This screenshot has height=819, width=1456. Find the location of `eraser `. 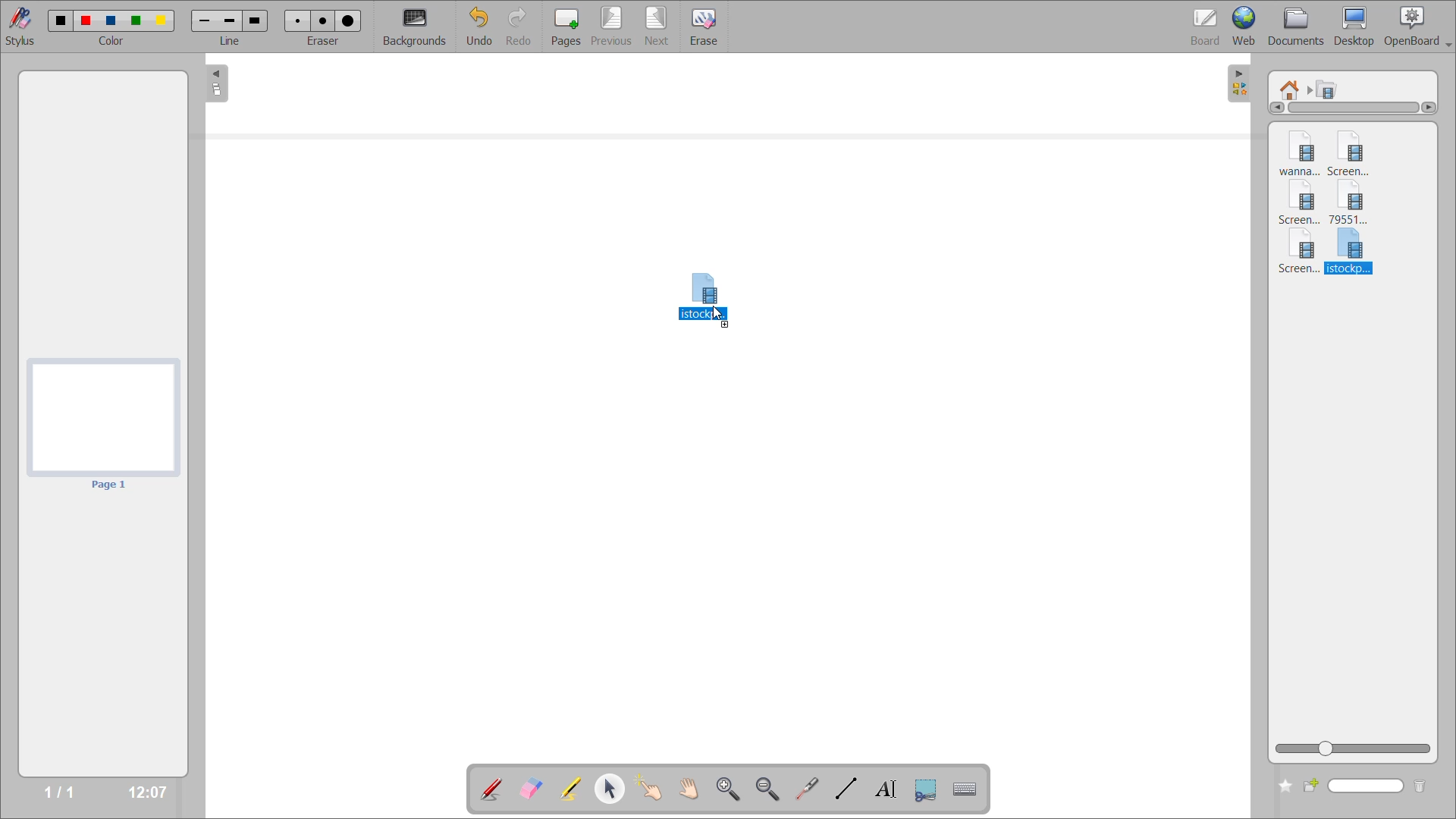

eraser  is located at coordinates (326, 42).